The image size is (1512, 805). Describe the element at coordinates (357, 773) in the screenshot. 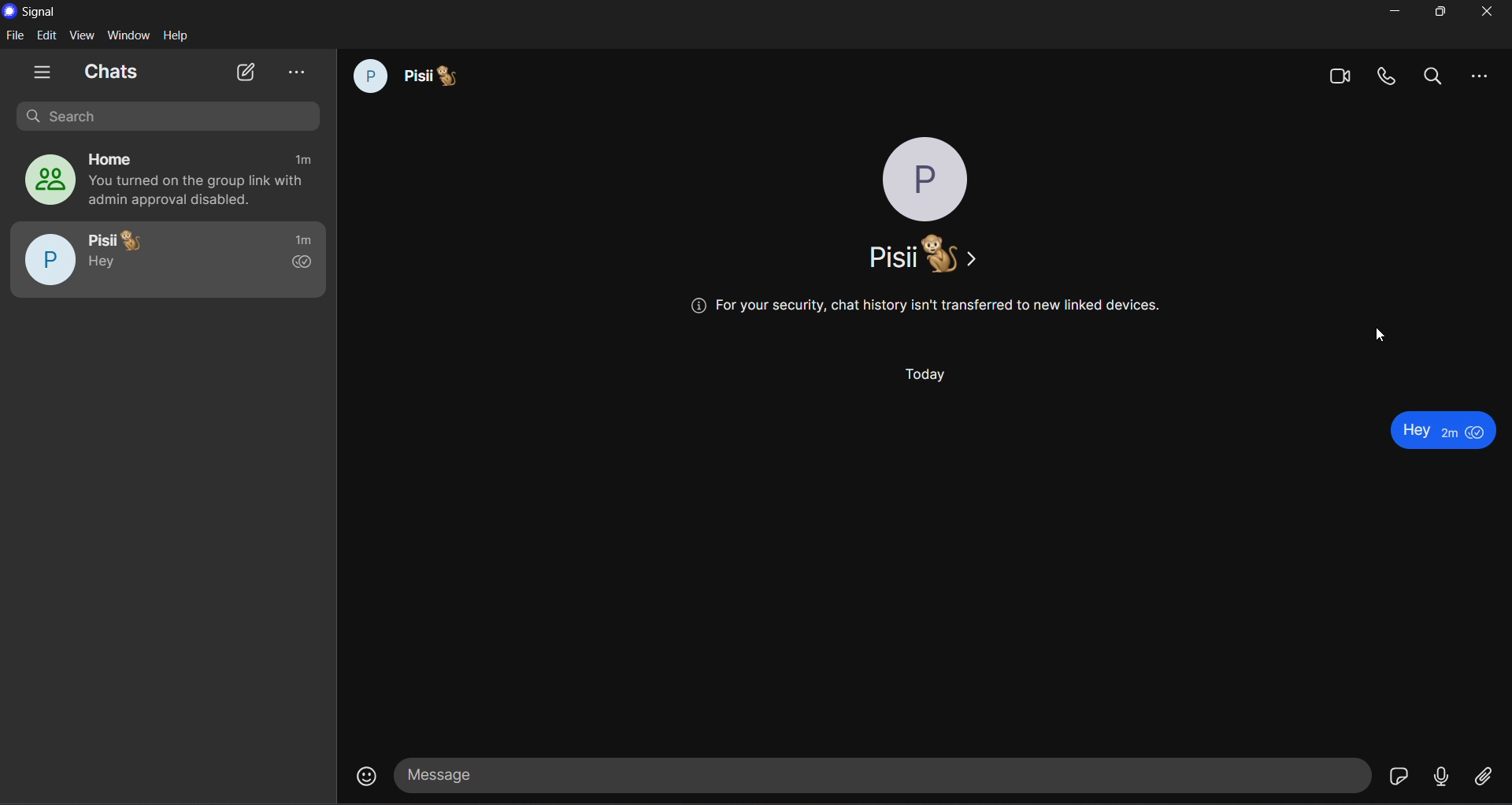

I see `emojis` at that location.